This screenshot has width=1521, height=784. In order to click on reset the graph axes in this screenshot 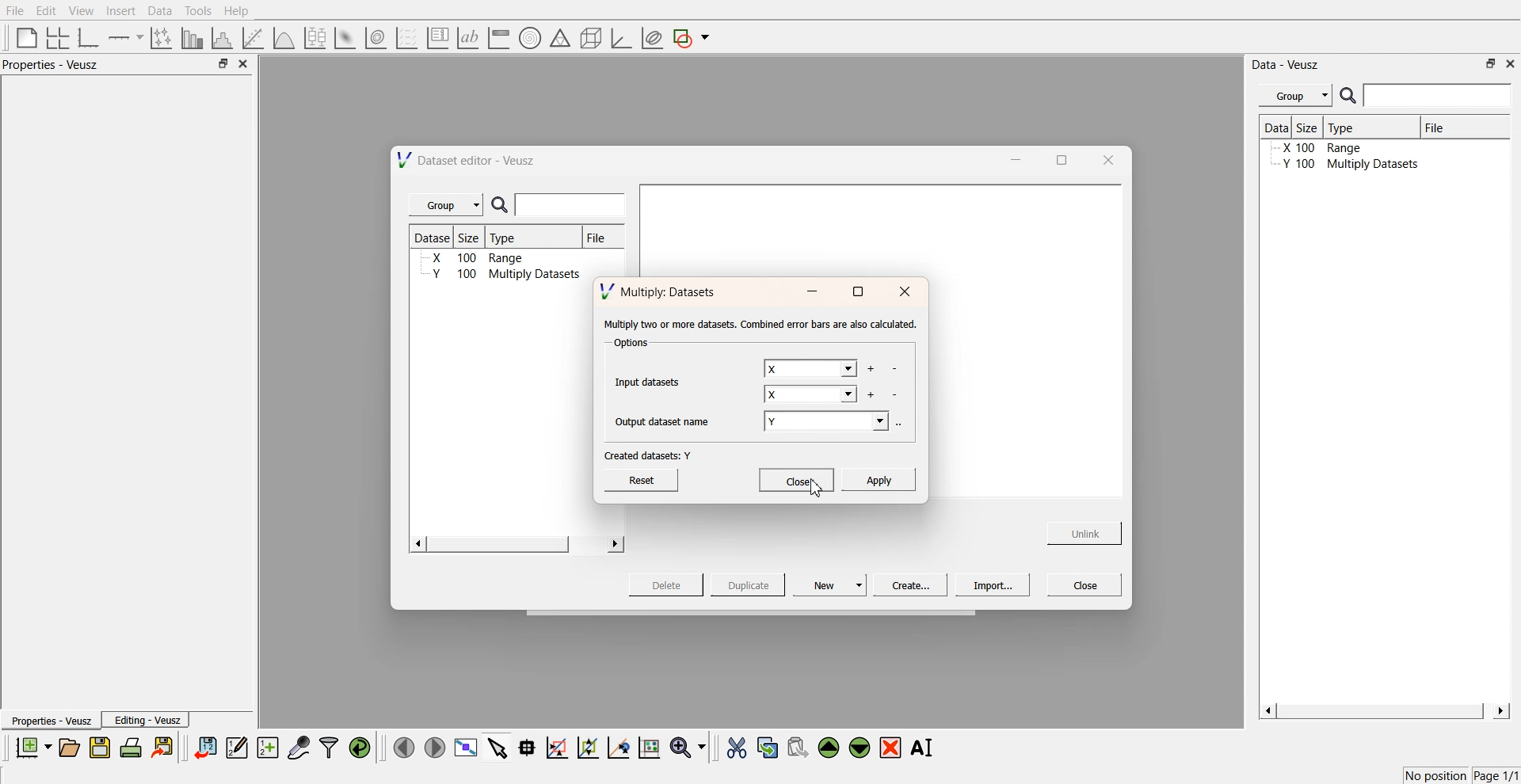, I will do `click(649, 748)`.